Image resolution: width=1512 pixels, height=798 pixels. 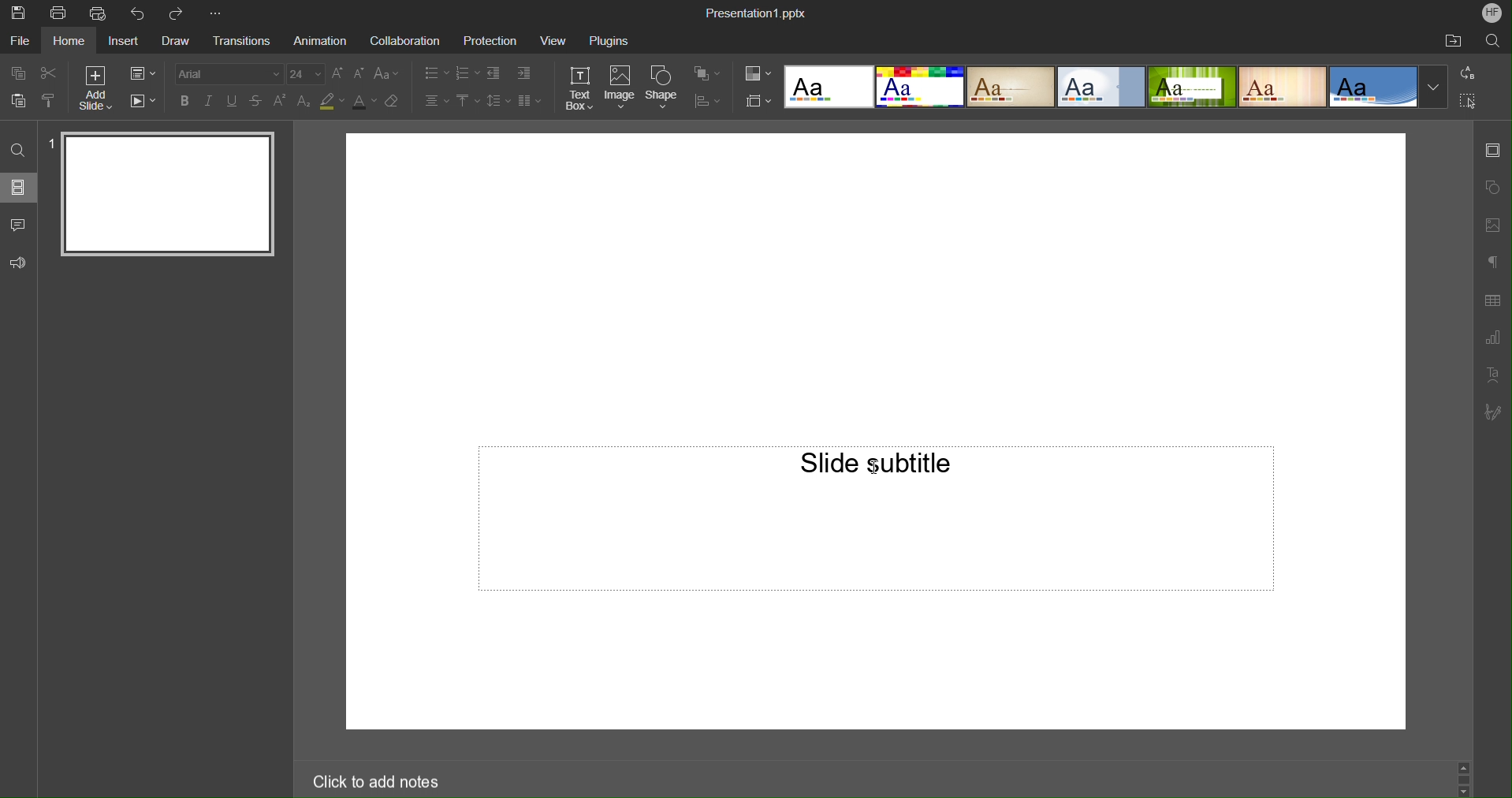 What do you see at coordinates (330, 103) in the screenshot?
I see `Highlight` at bounding box center [330, 103].